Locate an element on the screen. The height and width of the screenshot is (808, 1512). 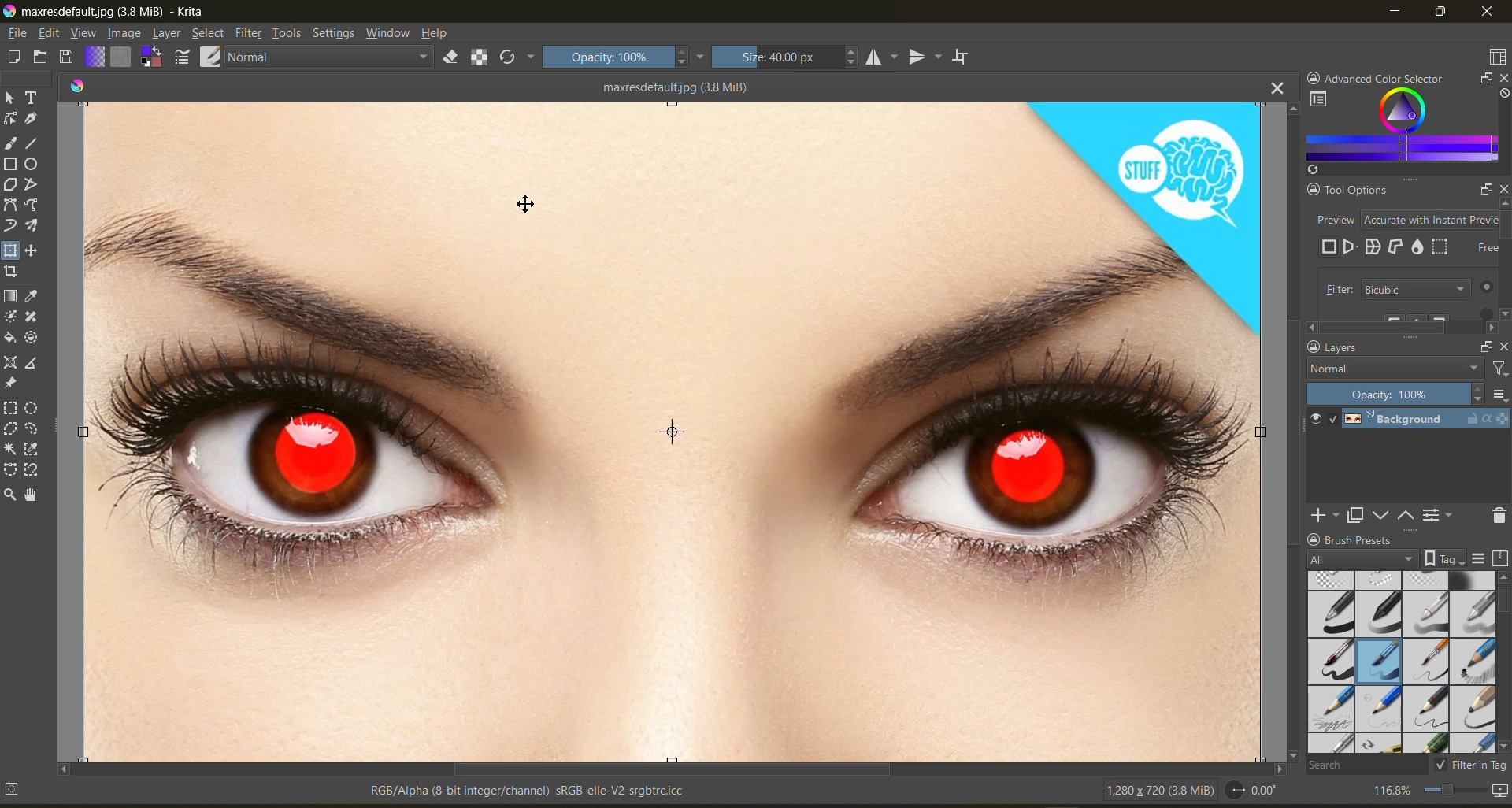
search is located at coordinates (1368, 766).